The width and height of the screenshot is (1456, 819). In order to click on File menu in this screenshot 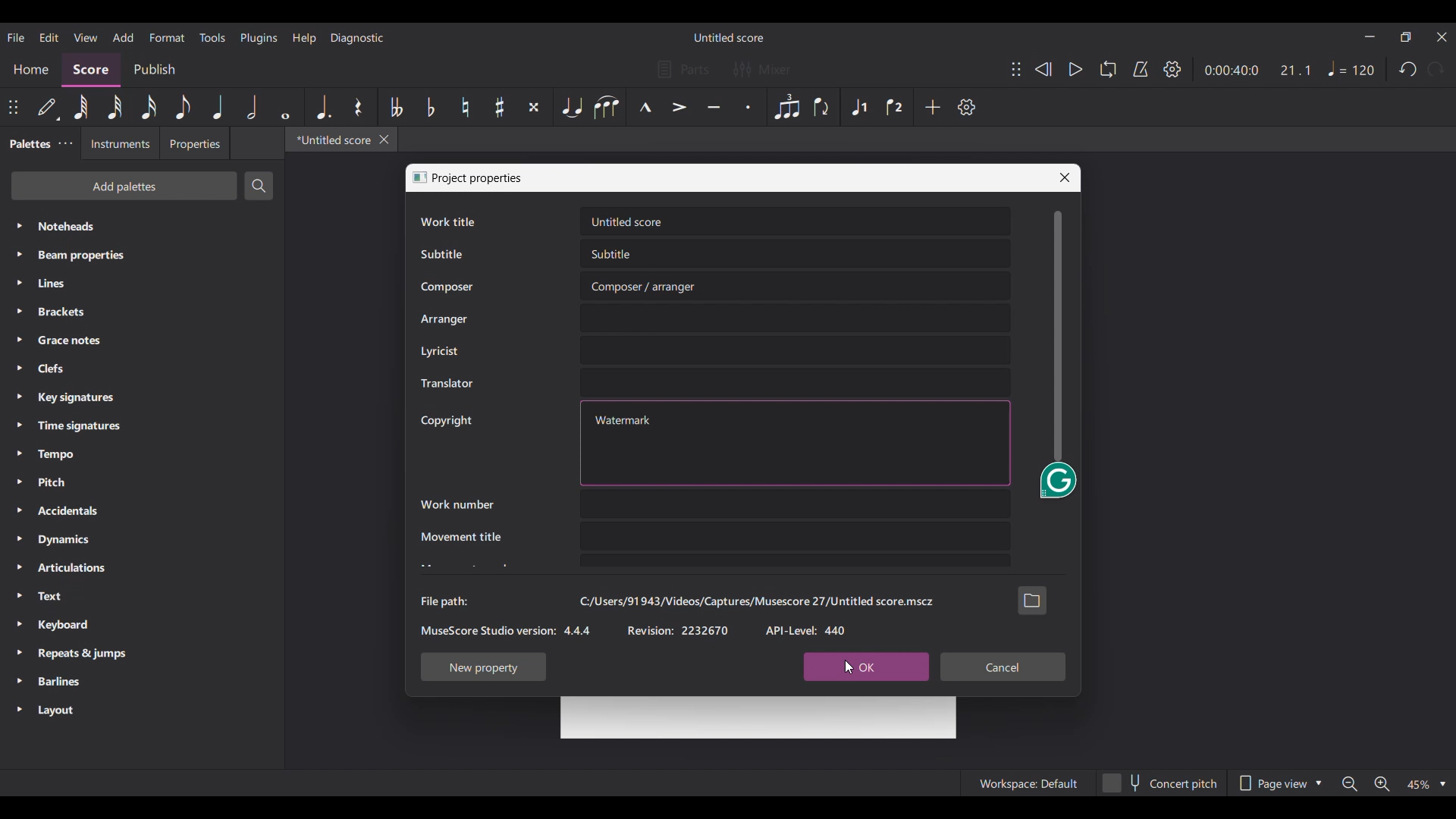, I will do `click(16, 37)`.